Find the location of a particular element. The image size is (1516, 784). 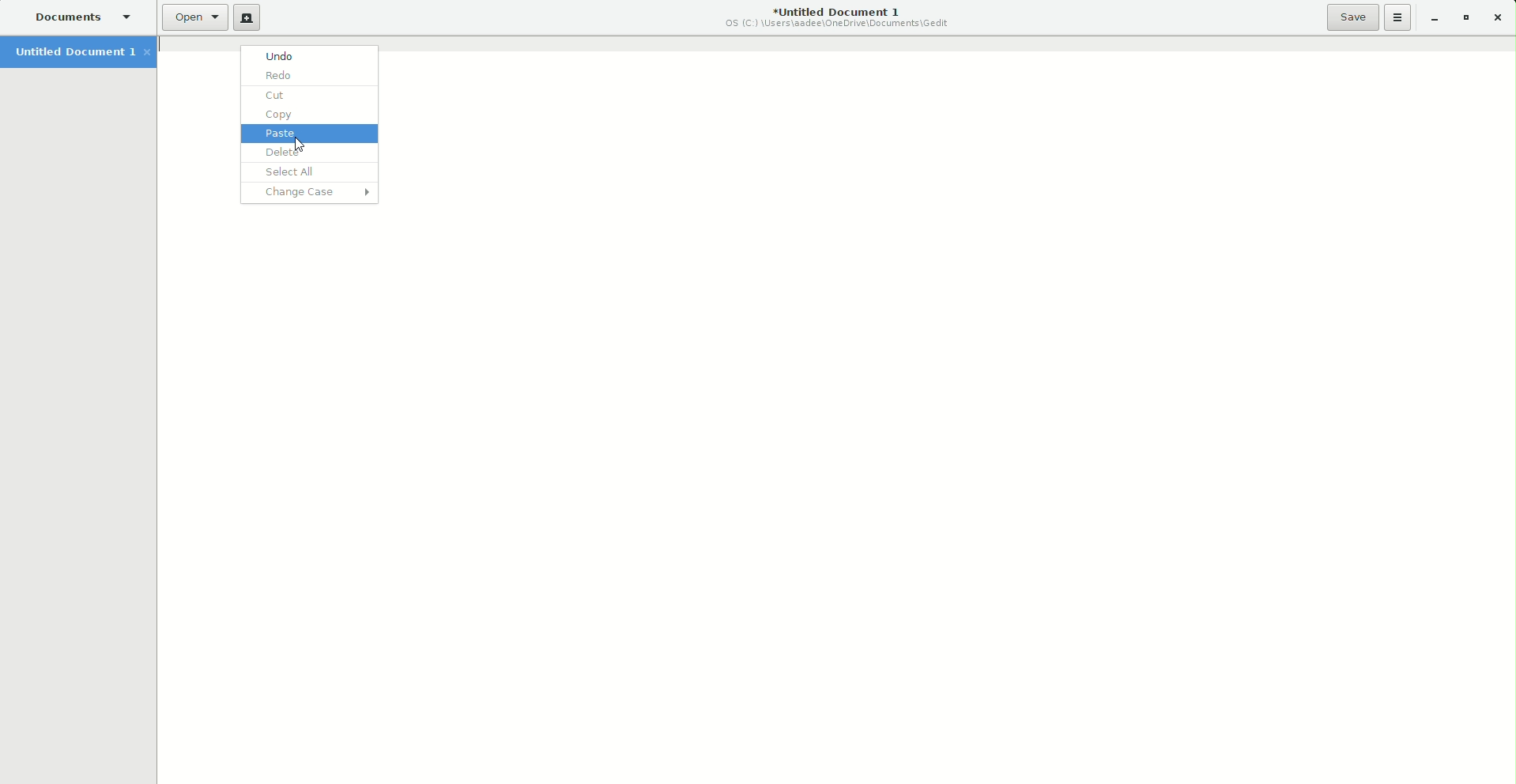

Minimize is located at coordinates (1431, 17).